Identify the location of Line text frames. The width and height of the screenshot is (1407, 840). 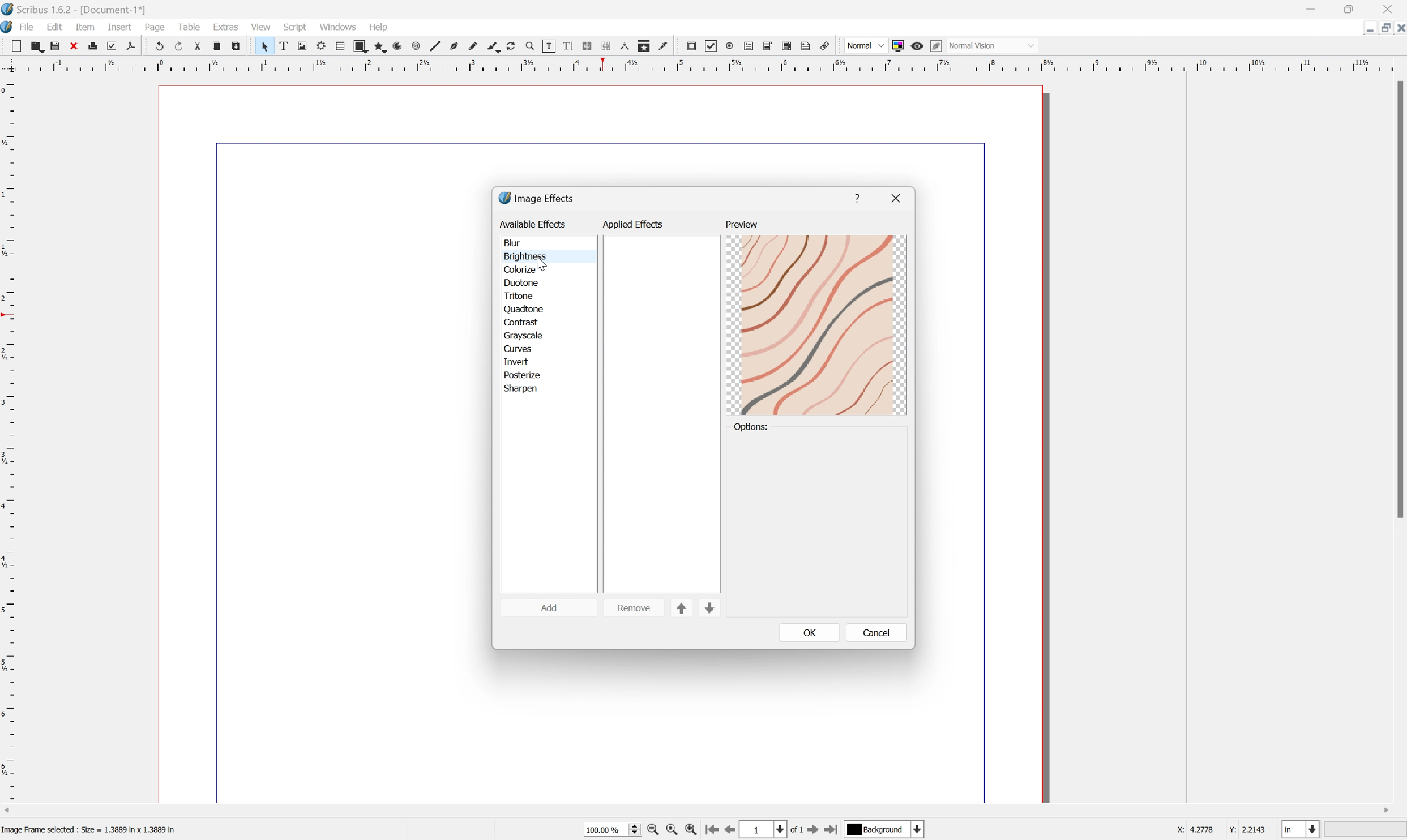
(588, 45).